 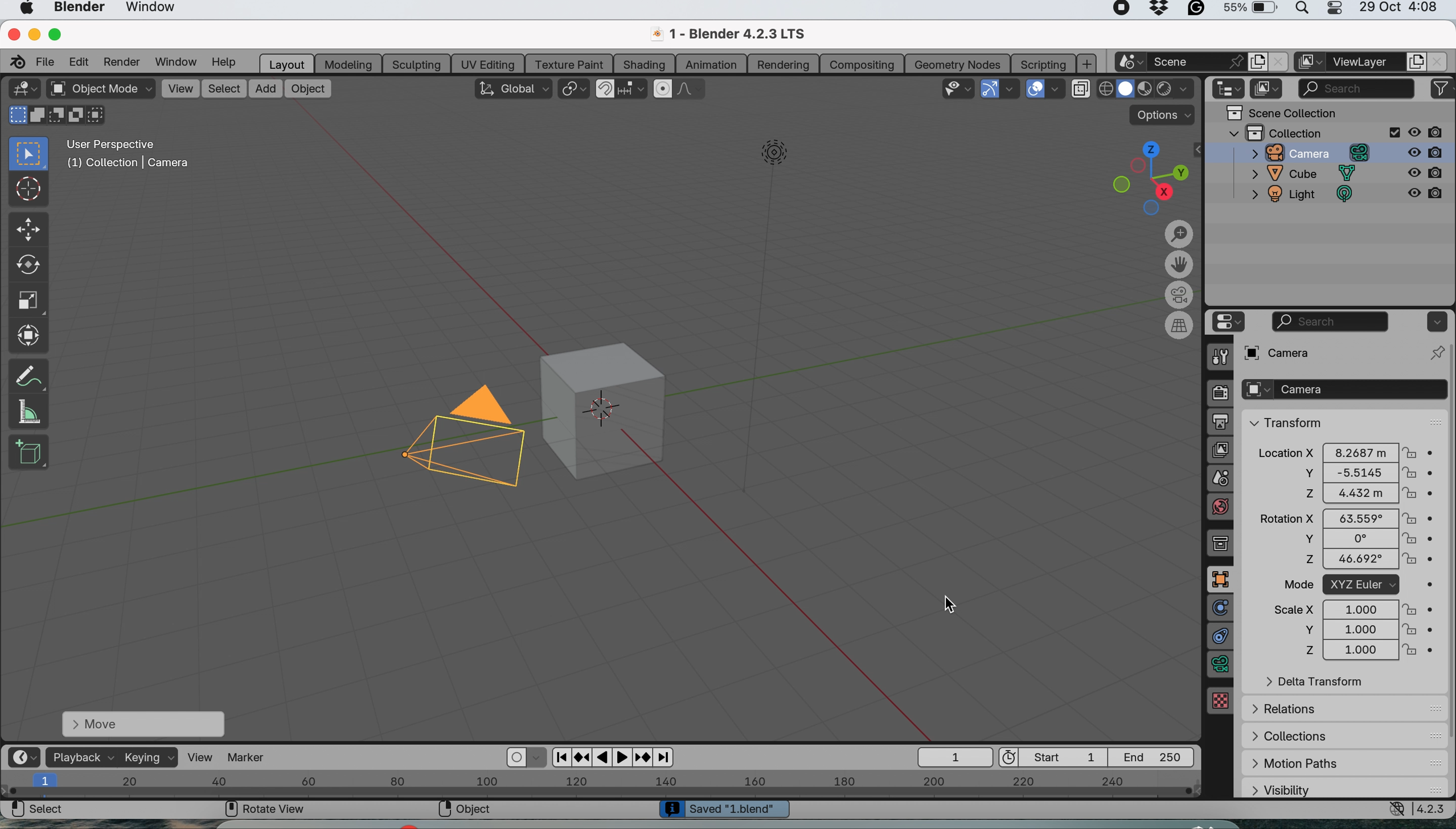 I want to click on editor type, so click(x=23, y=88).